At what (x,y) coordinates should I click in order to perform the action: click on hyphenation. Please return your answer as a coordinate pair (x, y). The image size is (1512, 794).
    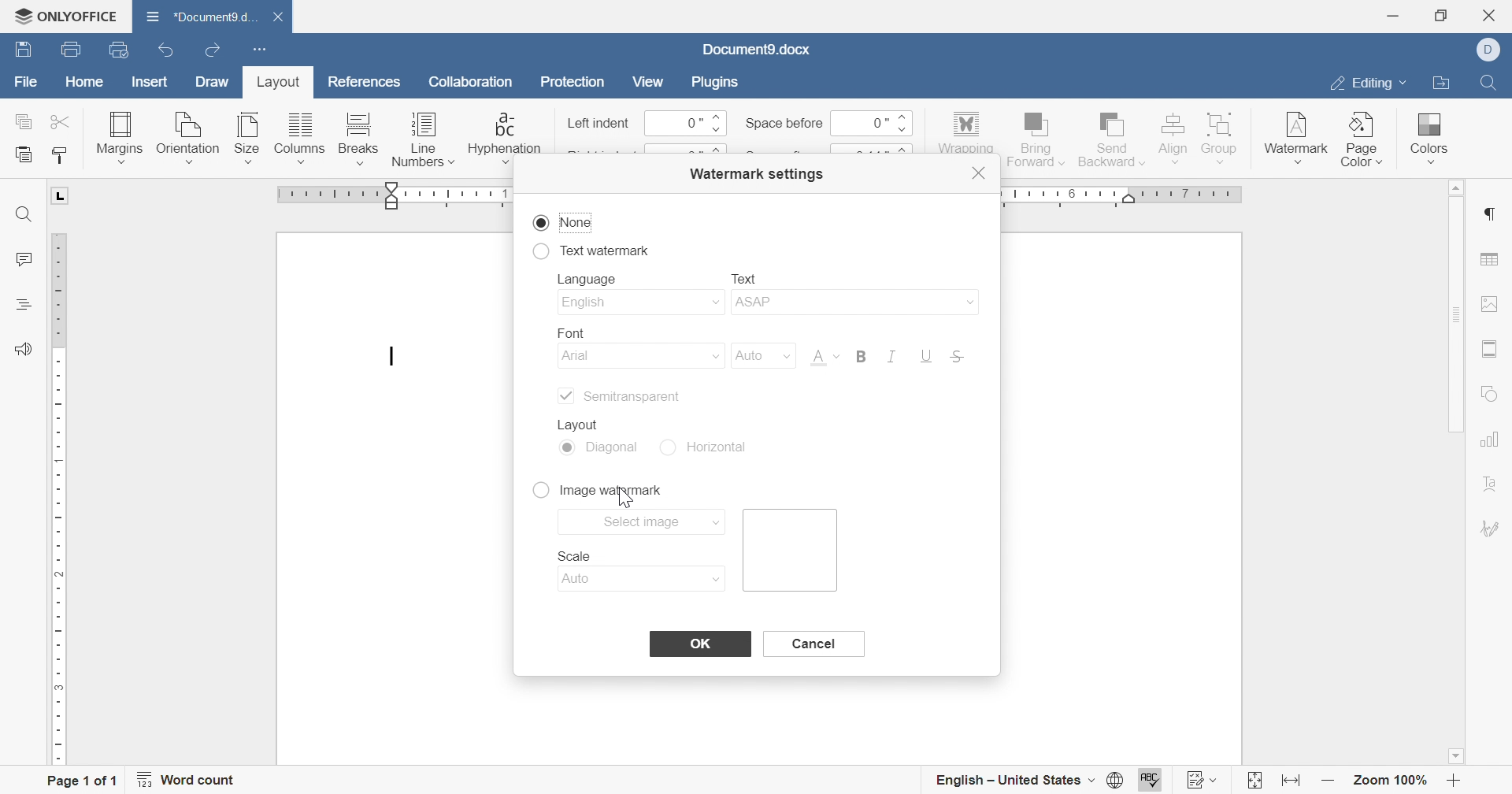
    Looking at the image, I should click on (504, 138).